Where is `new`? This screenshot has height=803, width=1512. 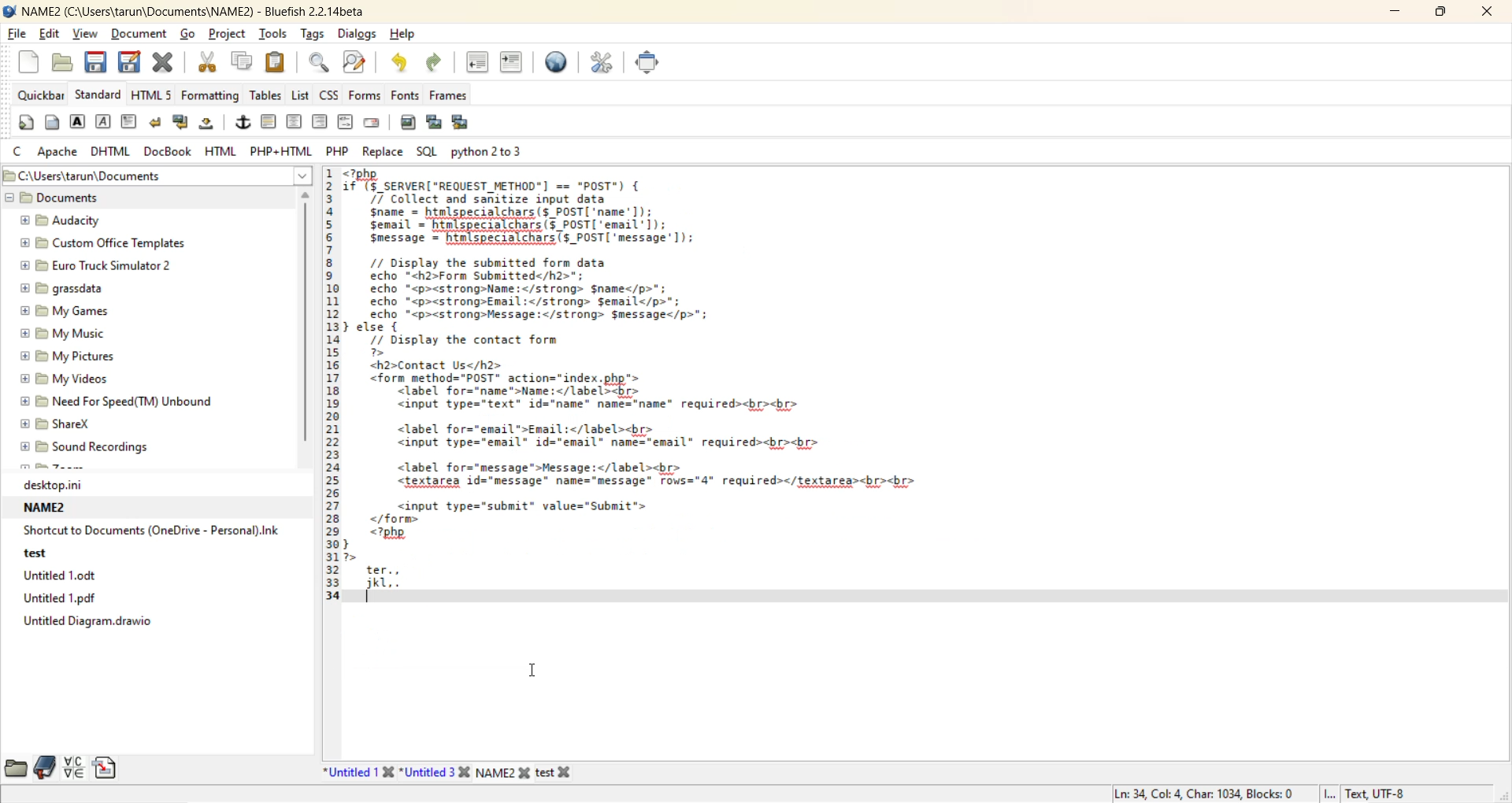
new is located at coordinates (31, 61).